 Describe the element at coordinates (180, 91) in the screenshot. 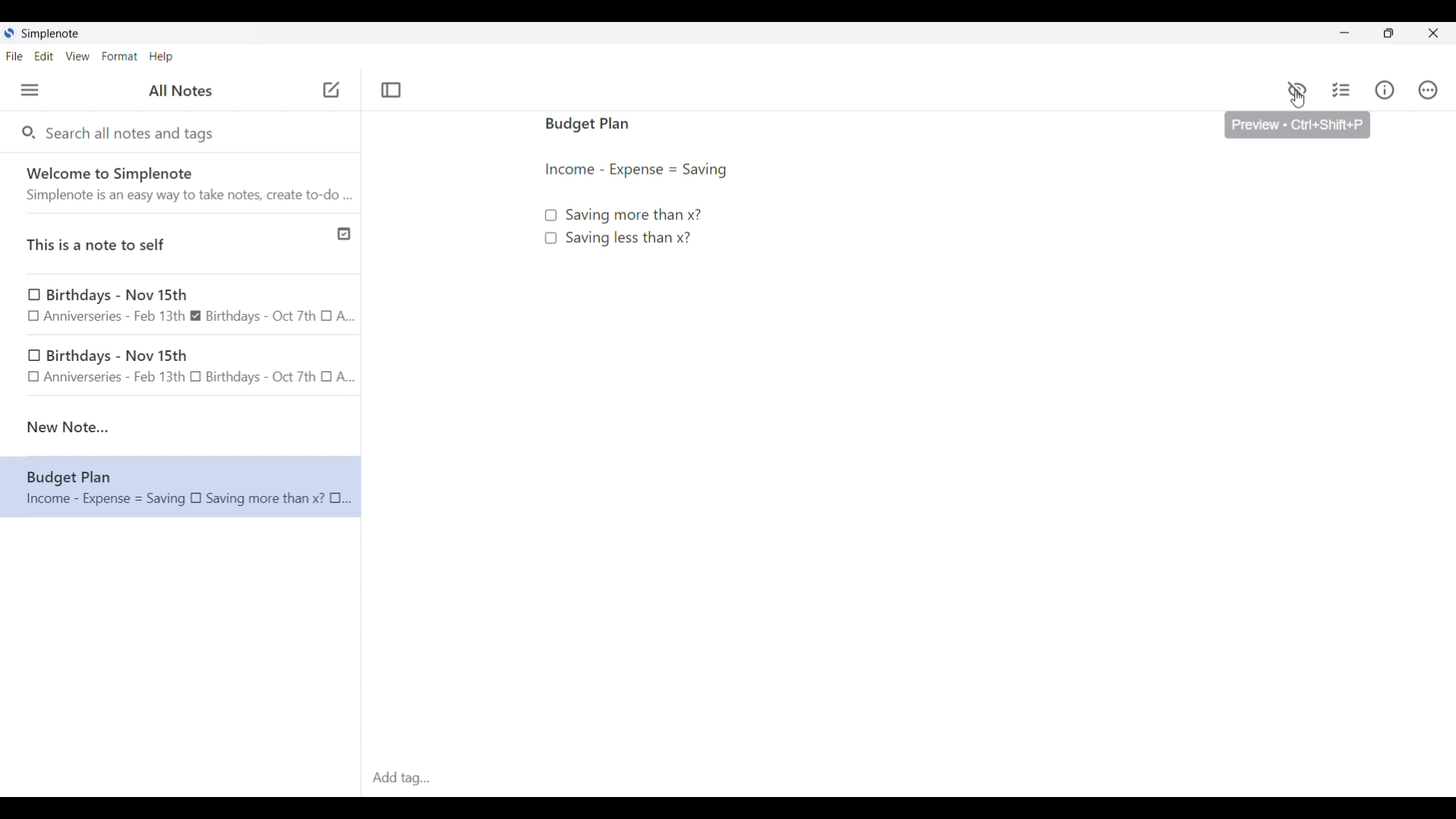

I see `Title of left side panel` at that location.